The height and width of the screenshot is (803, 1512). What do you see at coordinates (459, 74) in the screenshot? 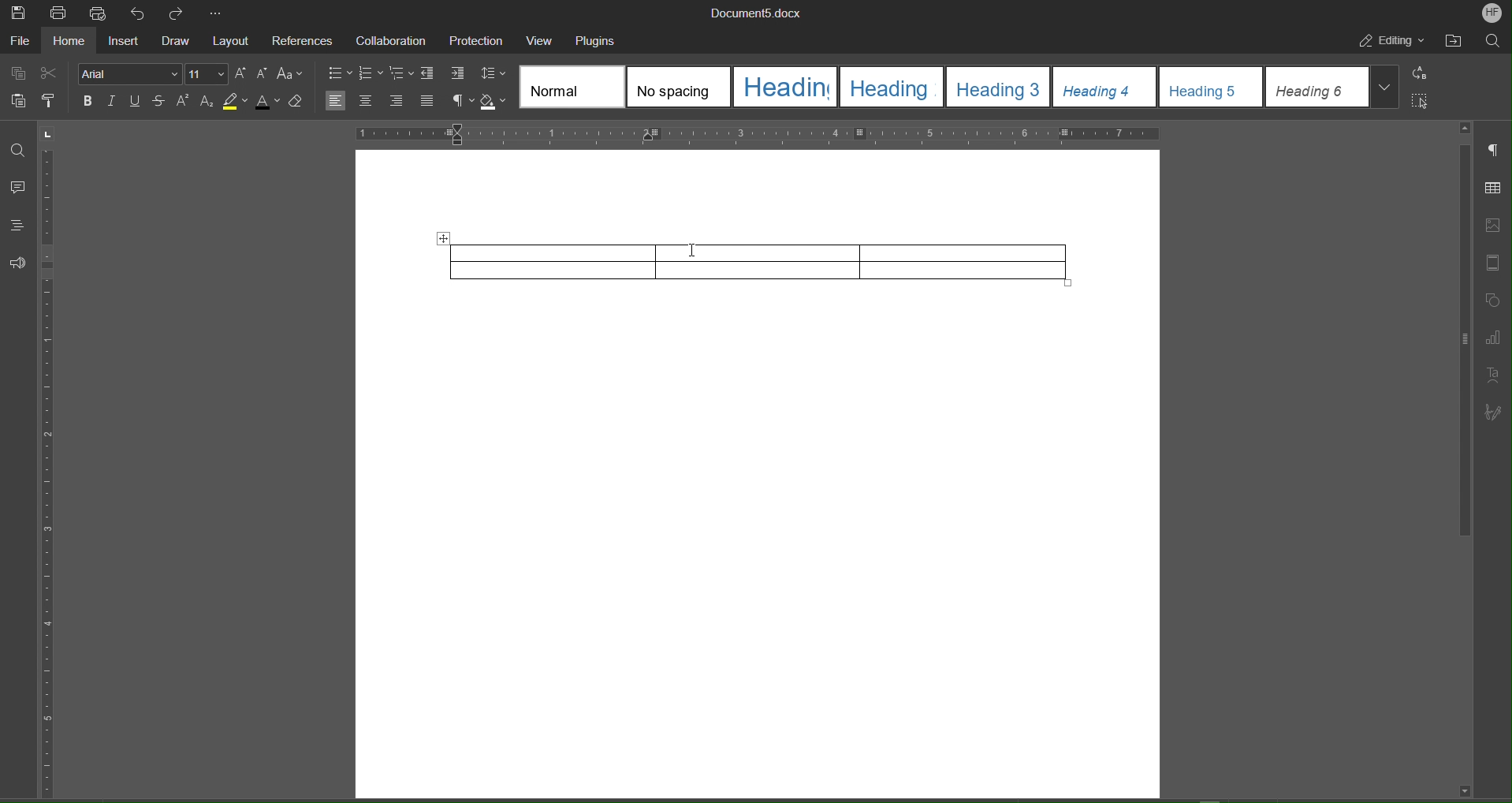
I see `Increase Indent` at bounding box center [459, 74].